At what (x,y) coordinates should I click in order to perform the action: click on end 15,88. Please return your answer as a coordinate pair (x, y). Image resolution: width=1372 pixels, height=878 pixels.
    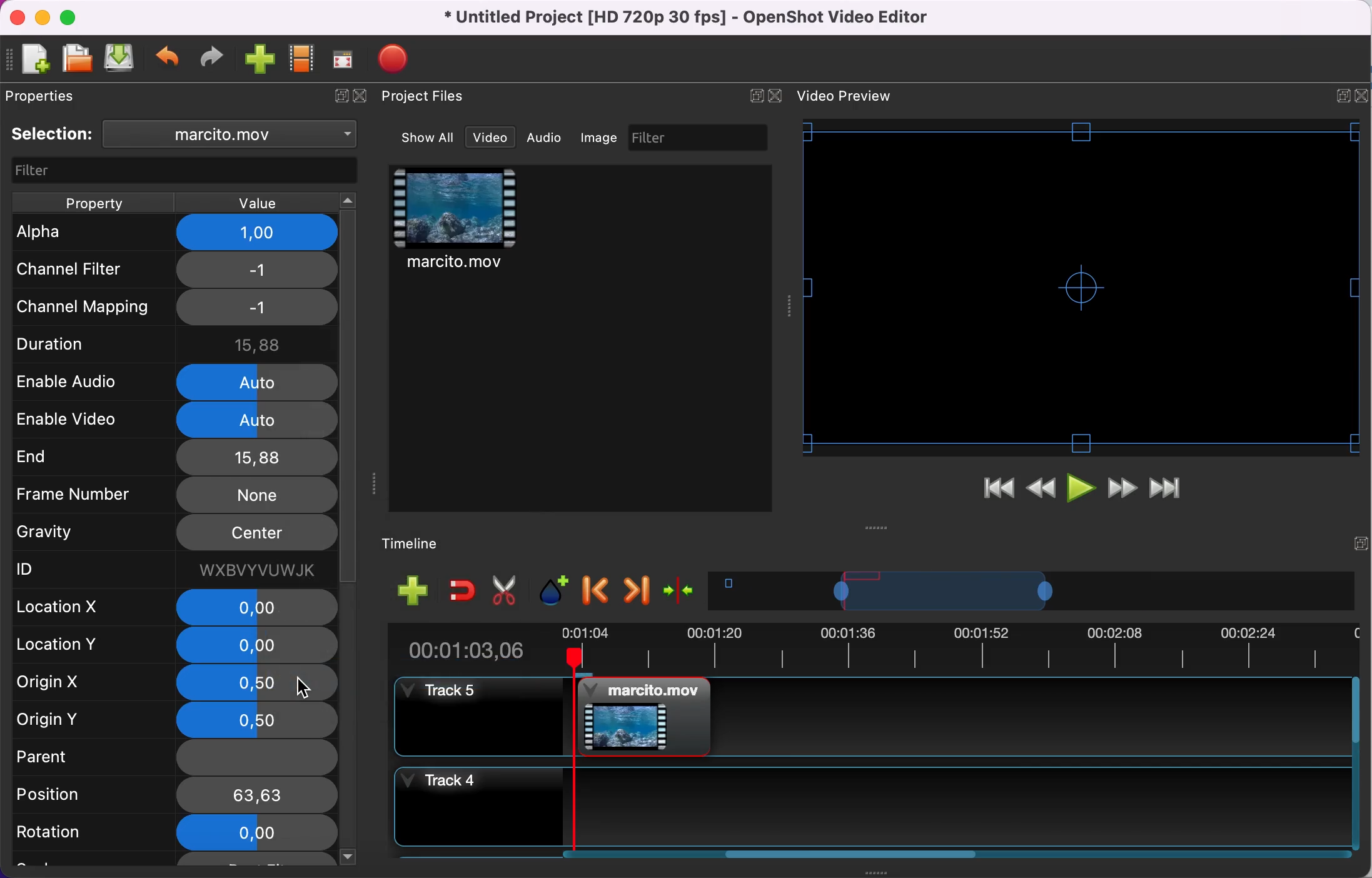
    Looking at the image, I should click on (172, 457).